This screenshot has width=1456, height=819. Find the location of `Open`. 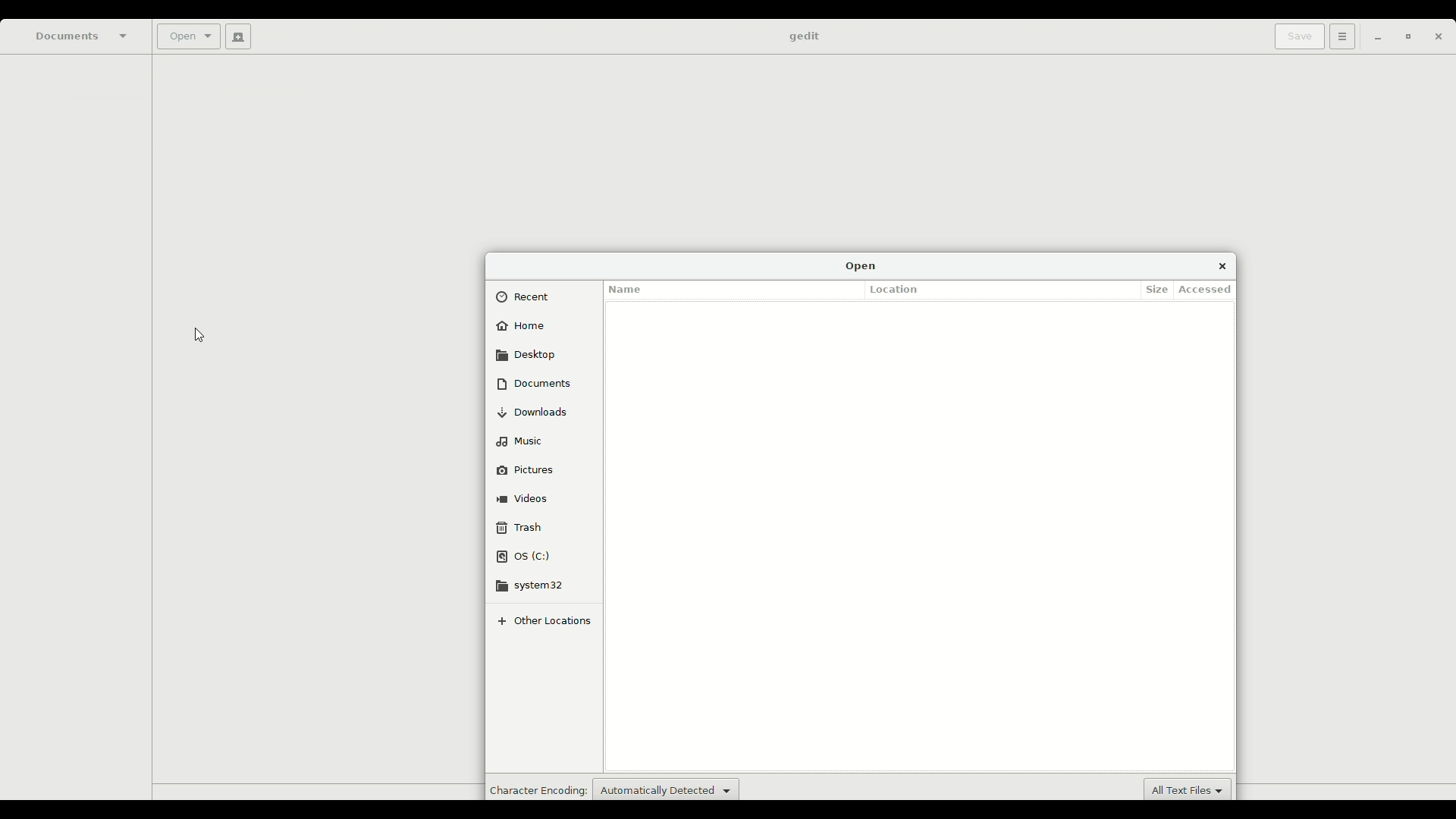

Open is located at coordinates (861, 265).